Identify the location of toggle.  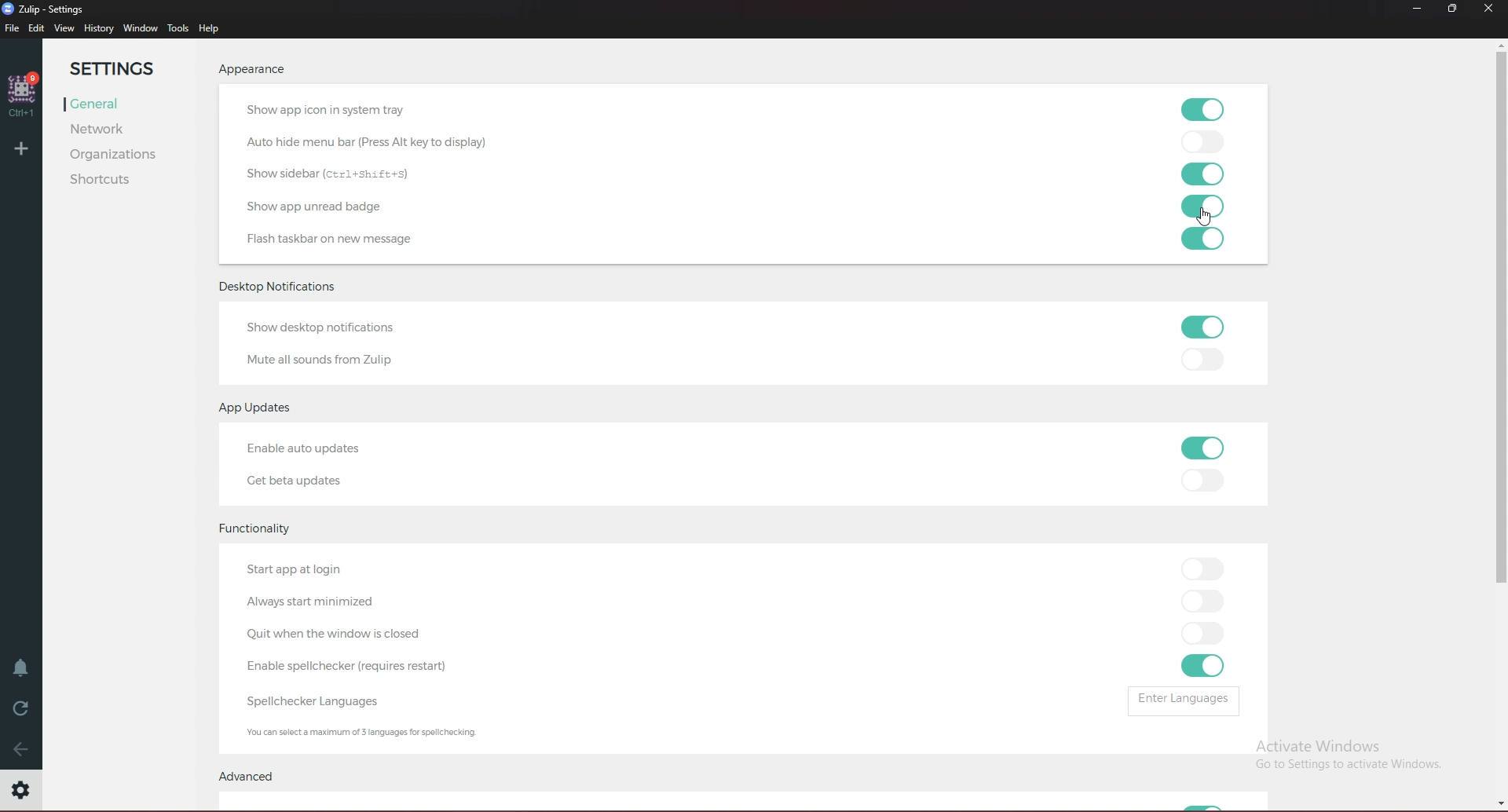
(1203, 569).